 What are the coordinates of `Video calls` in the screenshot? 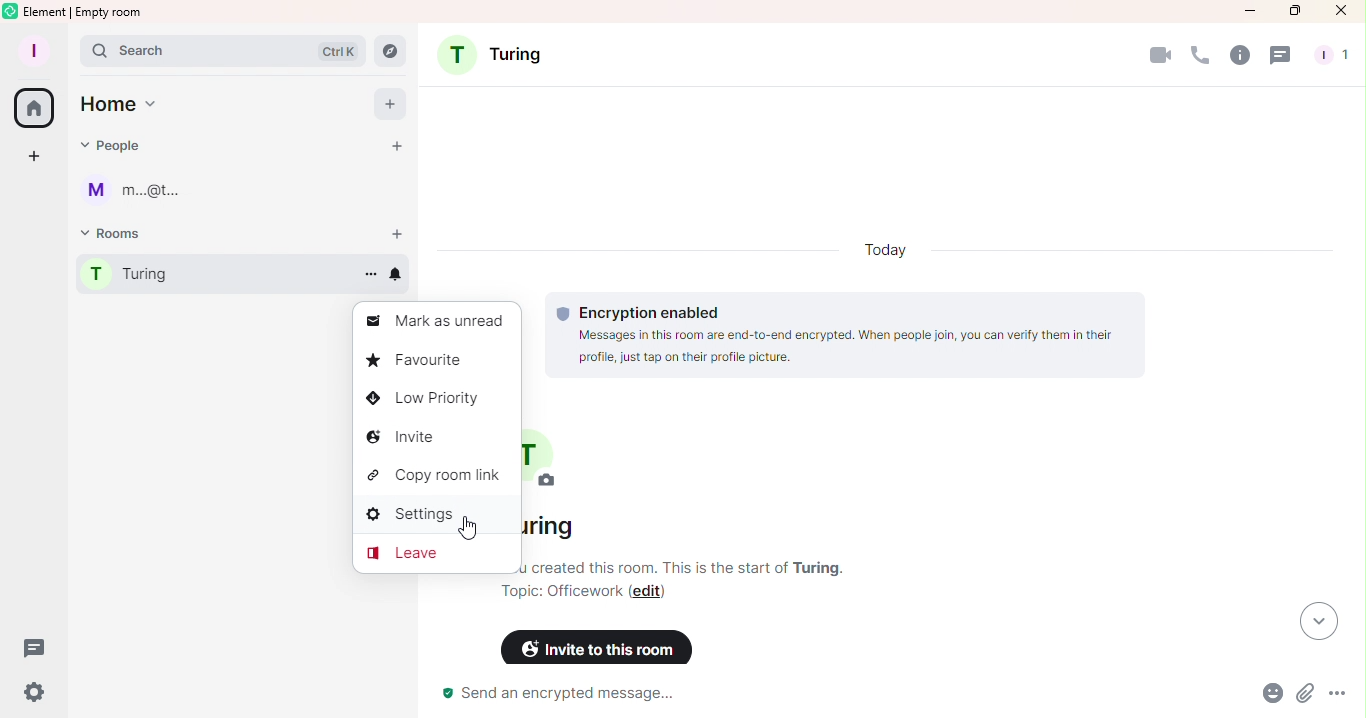 It's located at (1160, 58).